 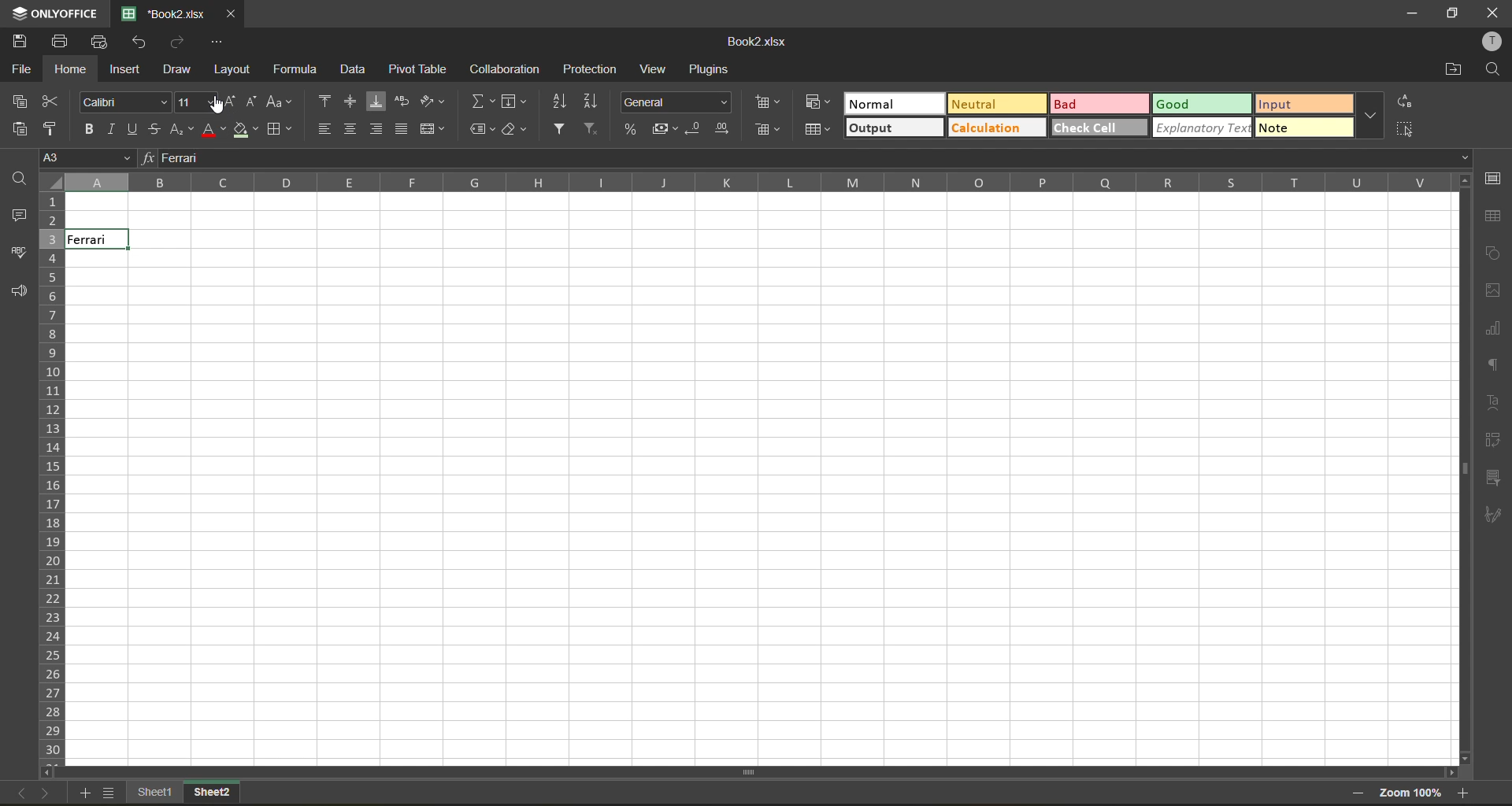 I want to click on data, so click(x=354, y=68).